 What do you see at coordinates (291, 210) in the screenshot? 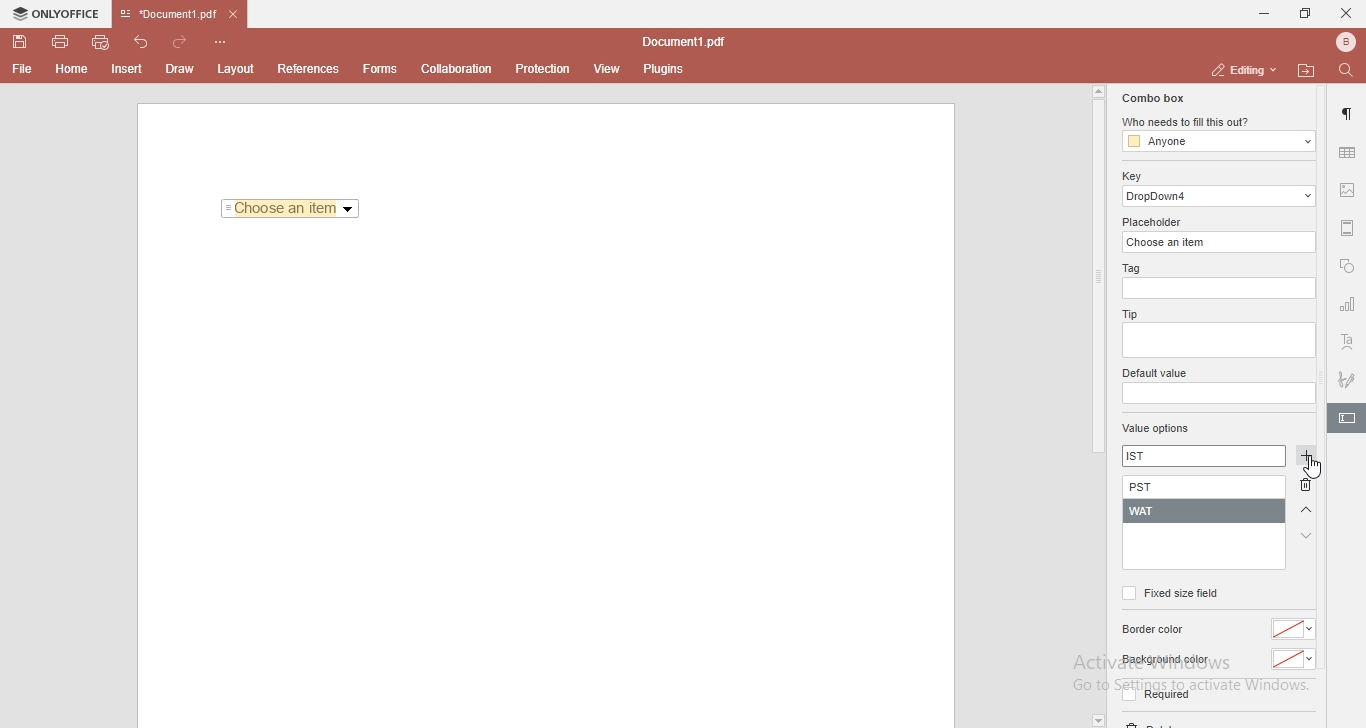
I see `Choose an item` at bounding box center [291, 210].